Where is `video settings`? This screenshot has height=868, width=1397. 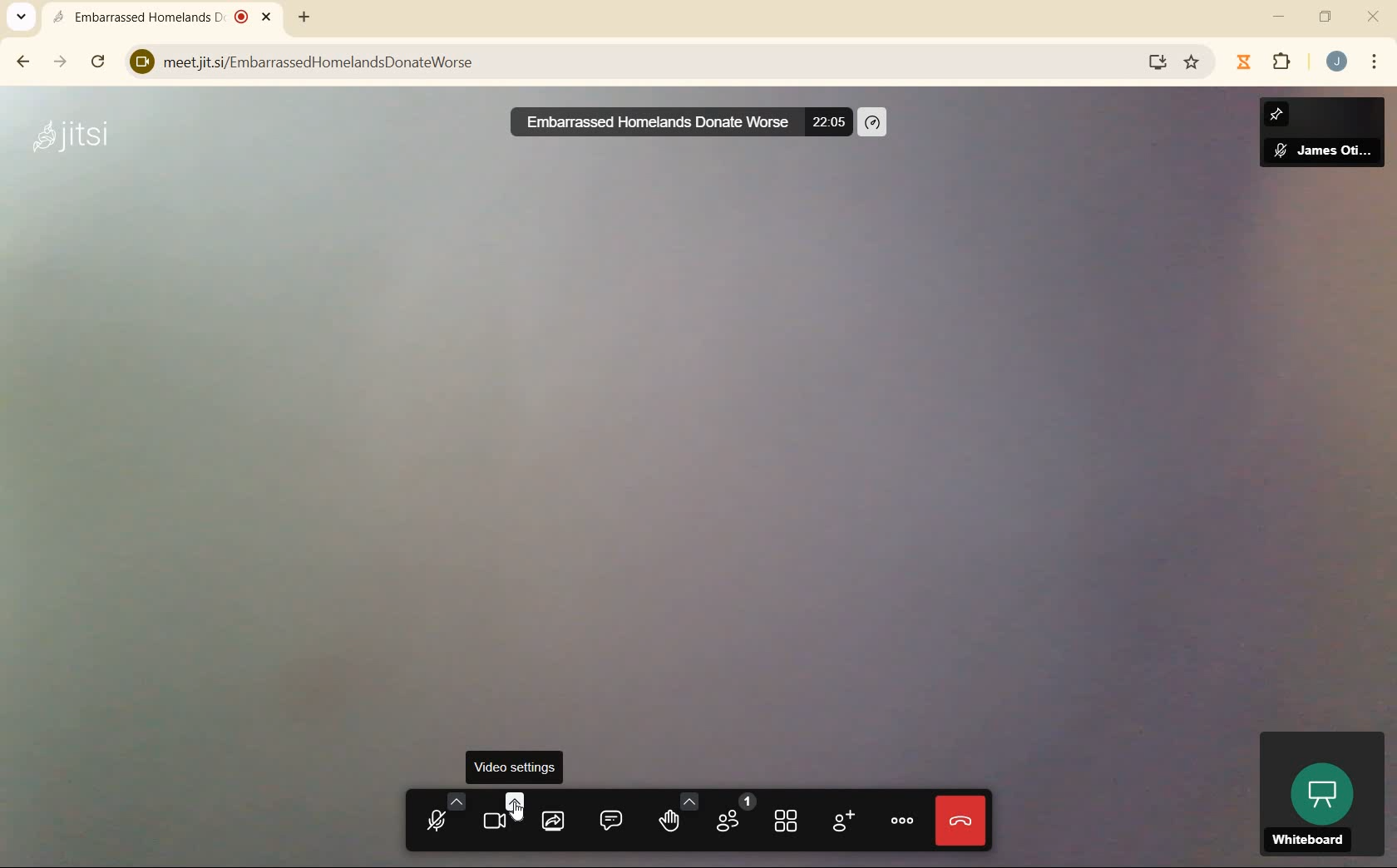
video settings is located at coordinates (518, 767).